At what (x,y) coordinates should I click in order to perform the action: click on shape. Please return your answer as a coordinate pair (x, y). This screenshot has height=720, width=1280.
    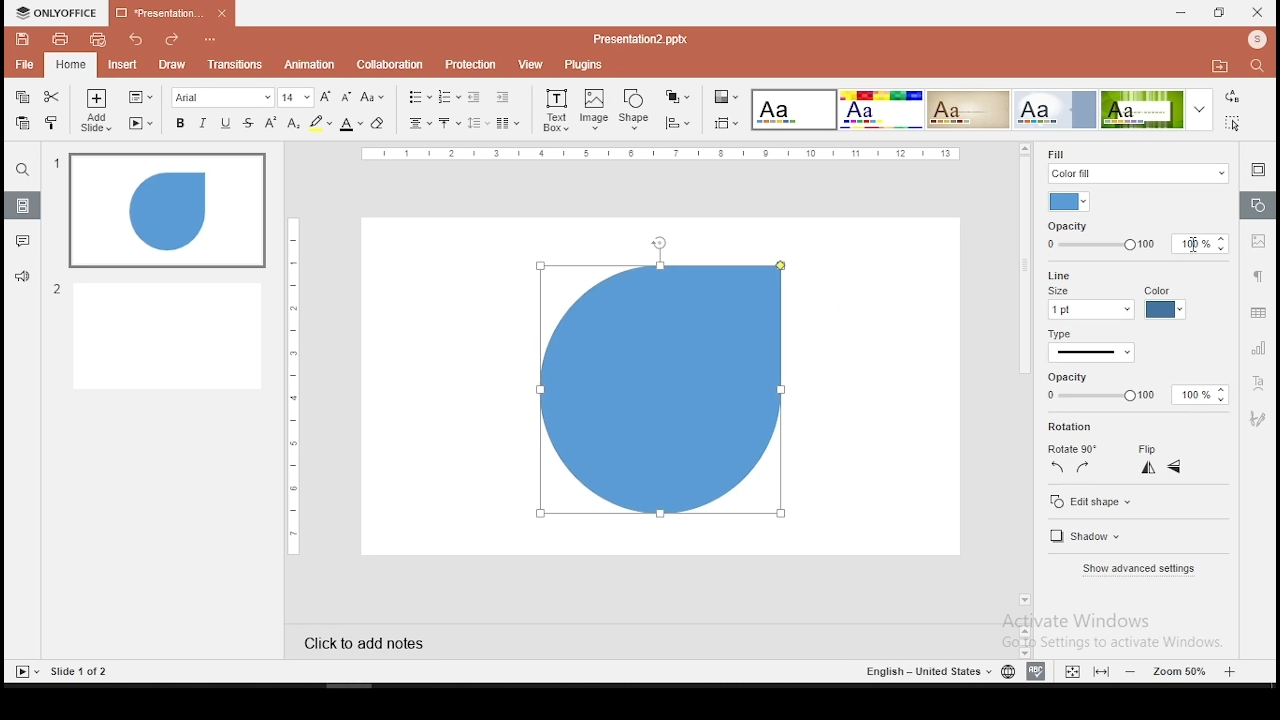
    Looking at the image, I should click on (636, 109).